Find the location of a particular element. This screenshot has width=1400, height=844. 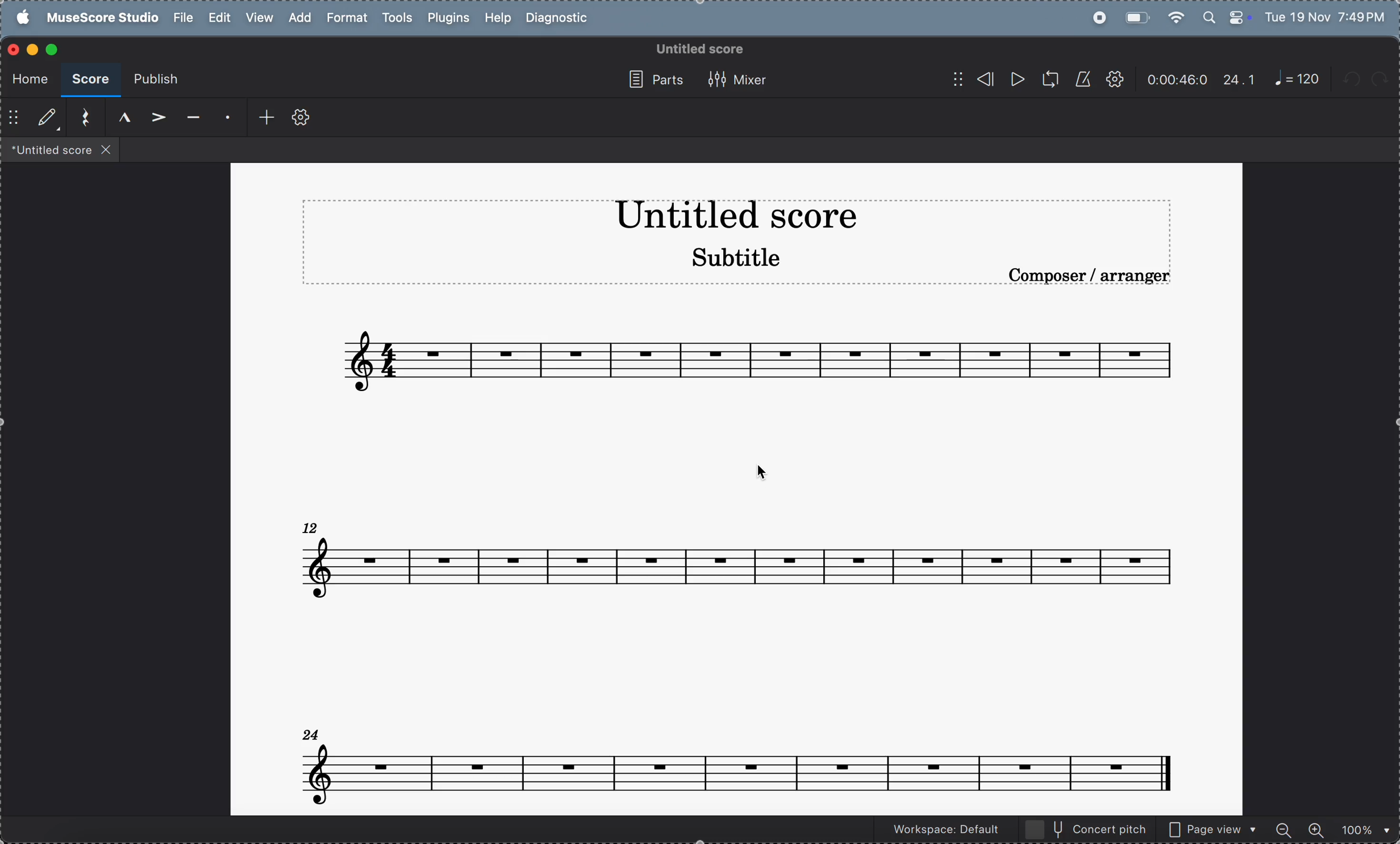

notes is located at coordinates (744, 558).